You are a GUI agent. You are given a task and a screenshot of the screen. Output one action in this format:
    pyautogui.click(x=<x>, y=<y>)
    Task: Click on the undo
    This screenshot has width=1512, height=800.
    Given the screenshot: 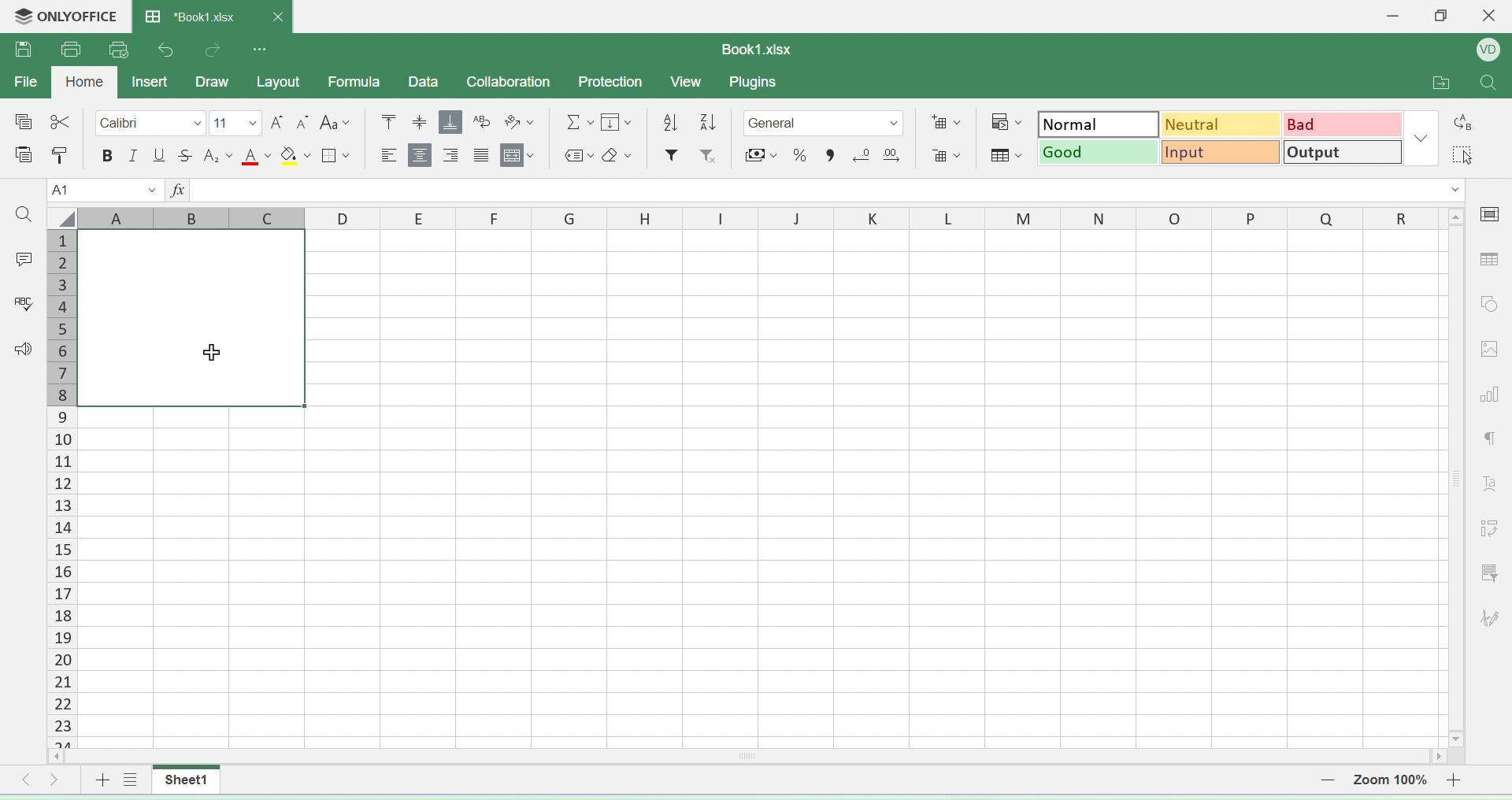 What is the action you would take?
    pyautogui.click(x=172, y=48)
    